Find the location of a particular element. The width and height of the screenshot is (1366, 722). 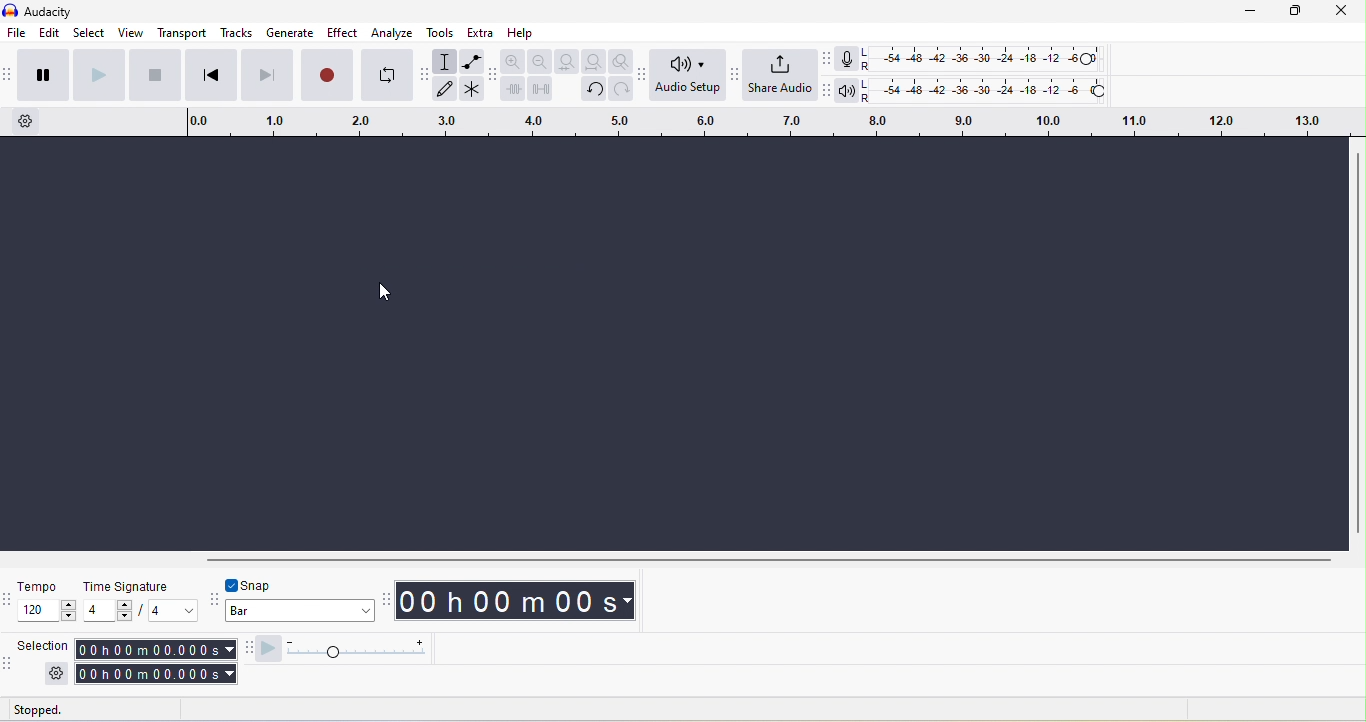

help is located at coordinates (521, 33).